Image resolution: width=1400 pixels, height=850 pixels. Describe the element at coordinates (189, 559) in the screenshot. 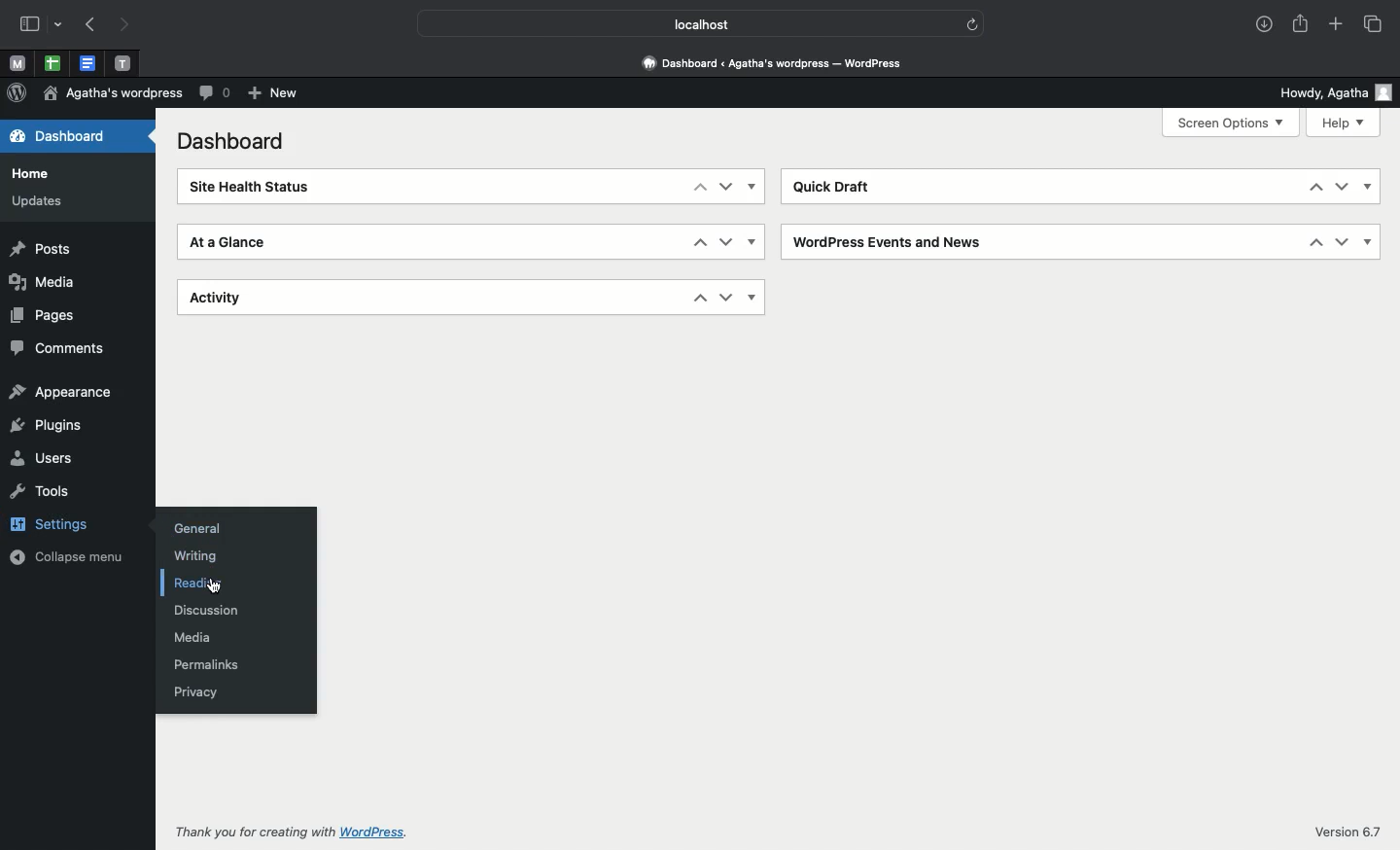

I see `Writing` at that location.